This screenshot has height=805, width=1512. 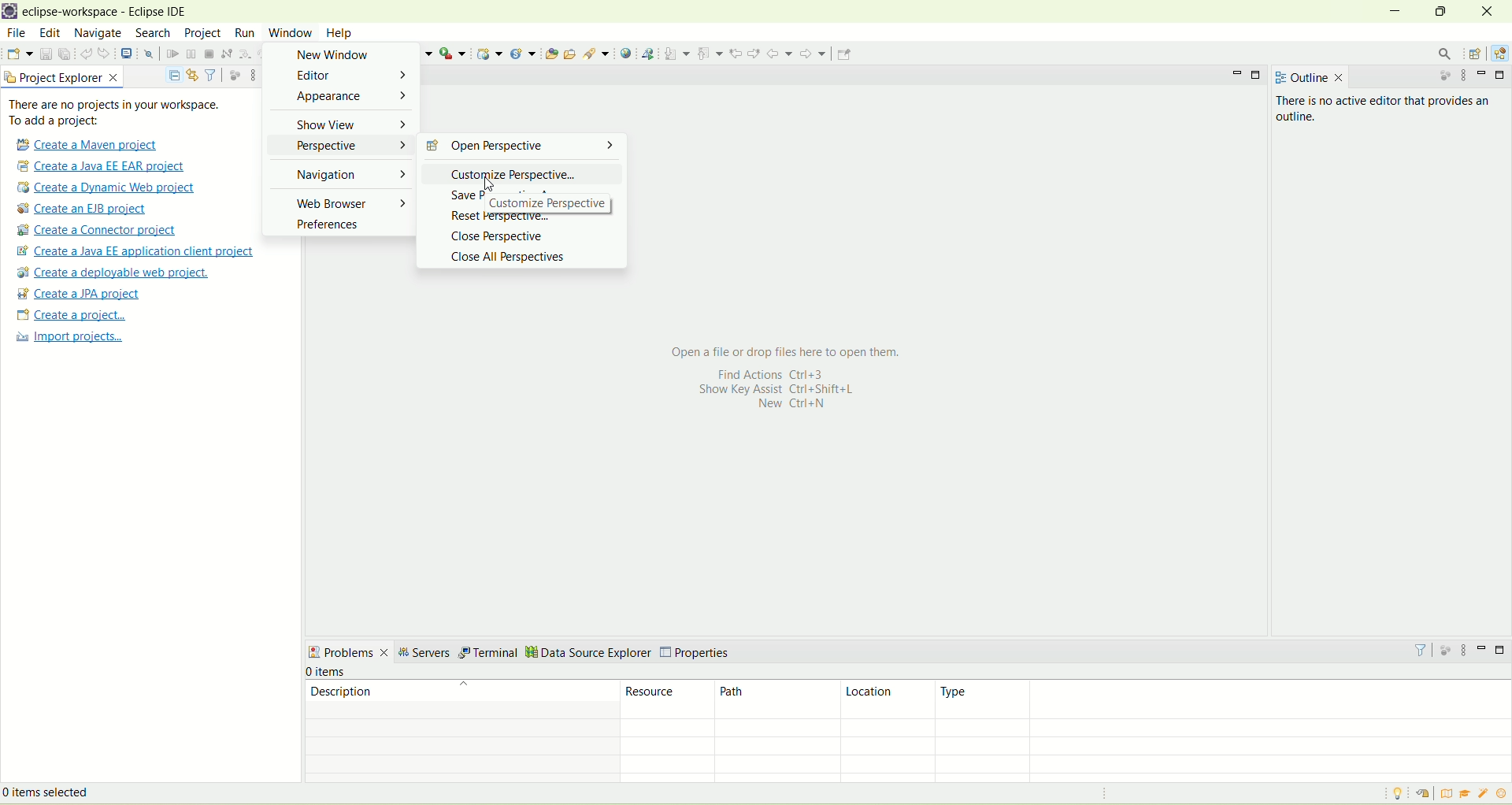 I want to click on perspective, so click(x=343, y=146).